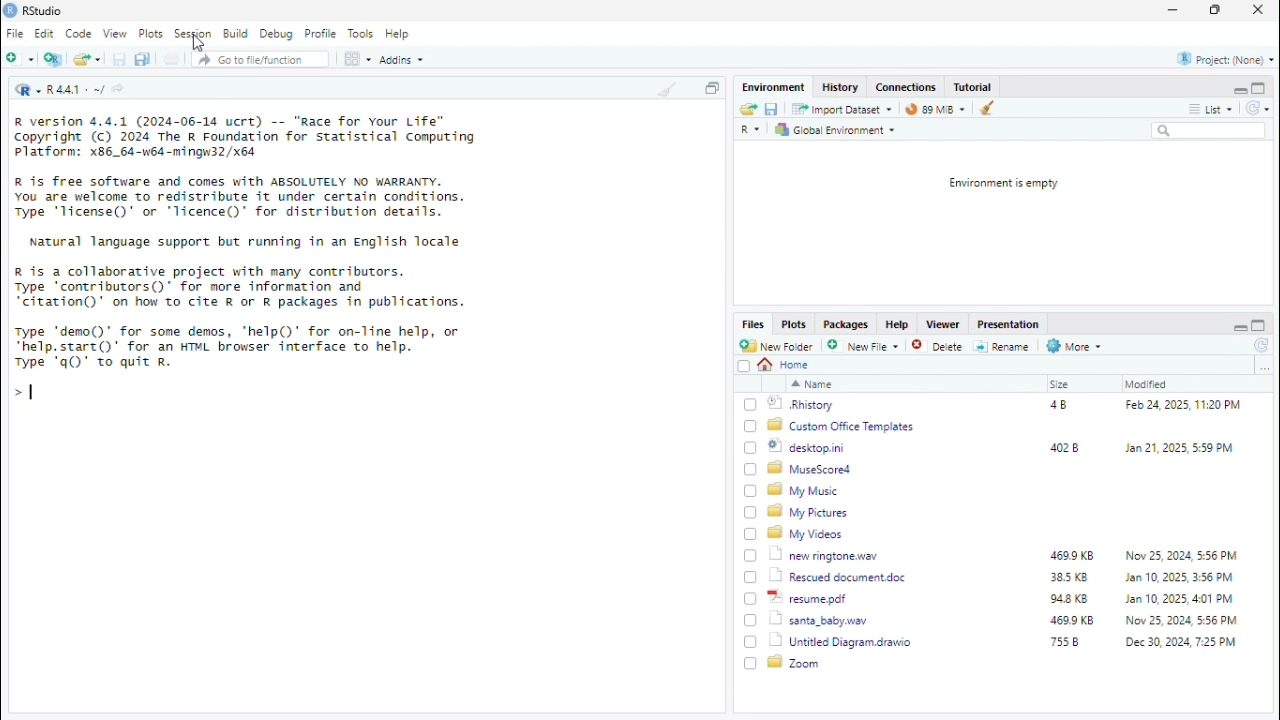 This screenshot has width=1280, height=720. I want to click on Checkbox, so click(751, 642).